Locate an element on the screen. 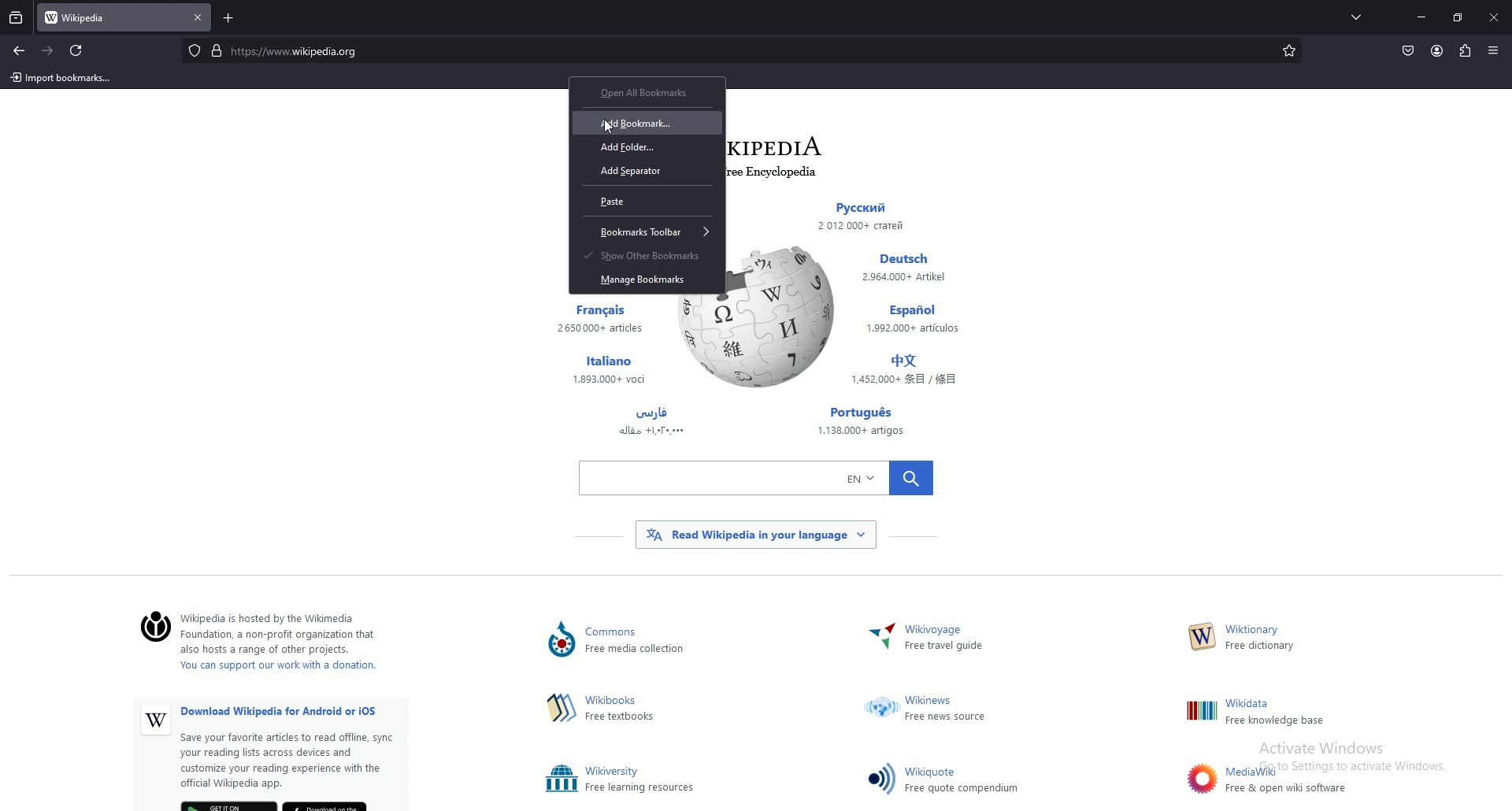 The width and height of the screenshot is (1512, 811).  is located at coordinates (1288, 780).